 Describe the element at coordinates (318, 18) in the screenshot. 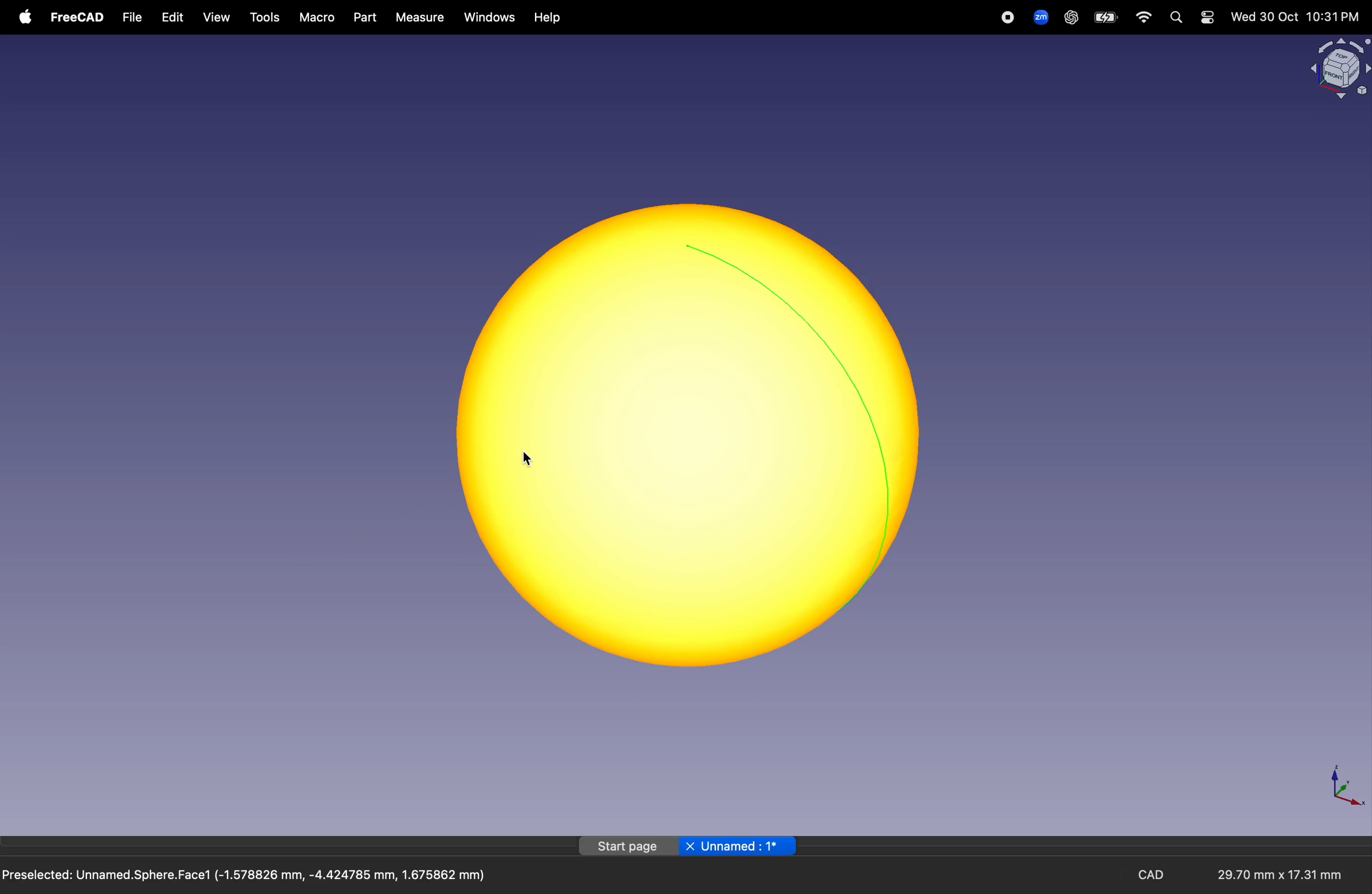

I see `marco` at that location.